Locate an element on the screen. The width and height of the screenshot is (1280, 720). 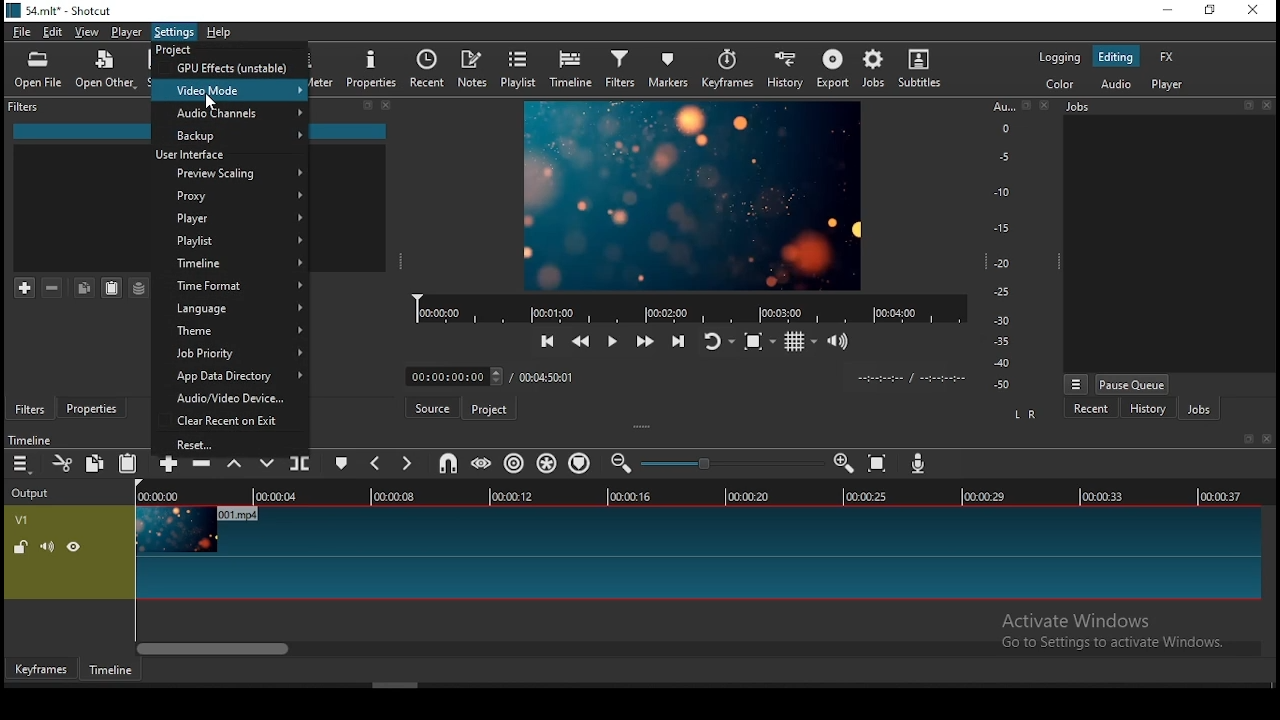
history is located at coordinates (1147, 411).